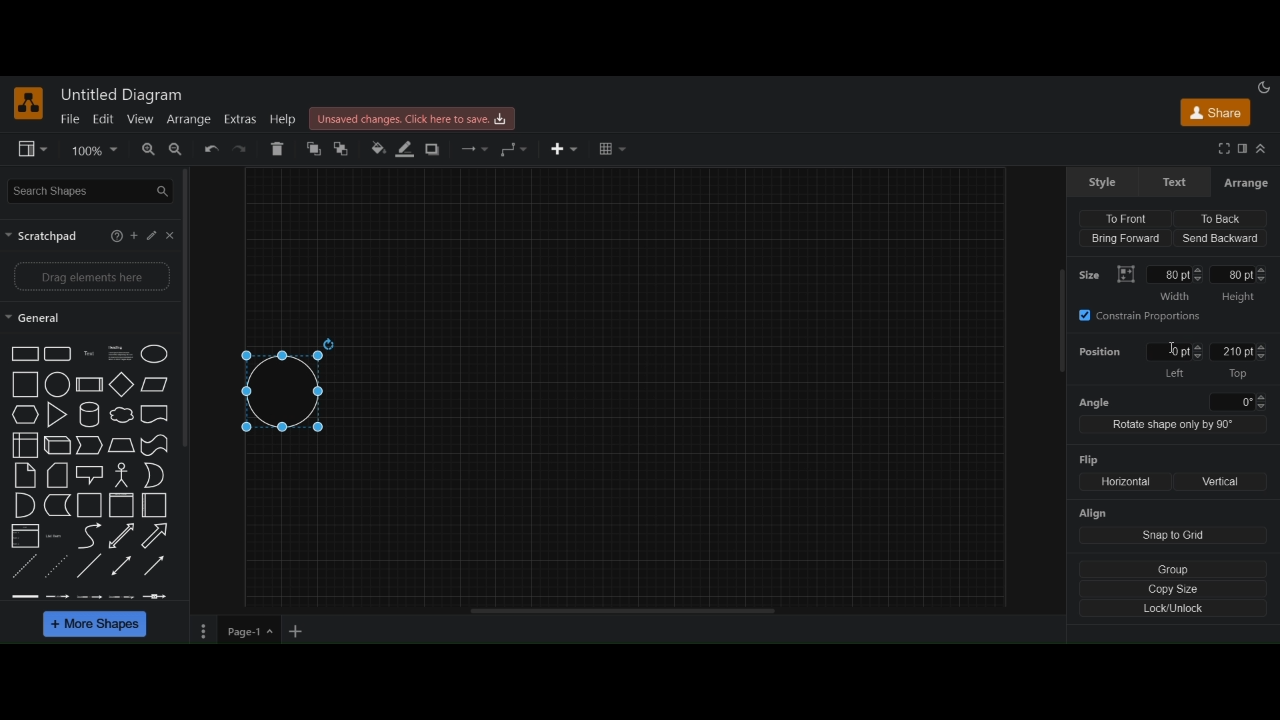  I want to click on free shape, so click(58, 506).